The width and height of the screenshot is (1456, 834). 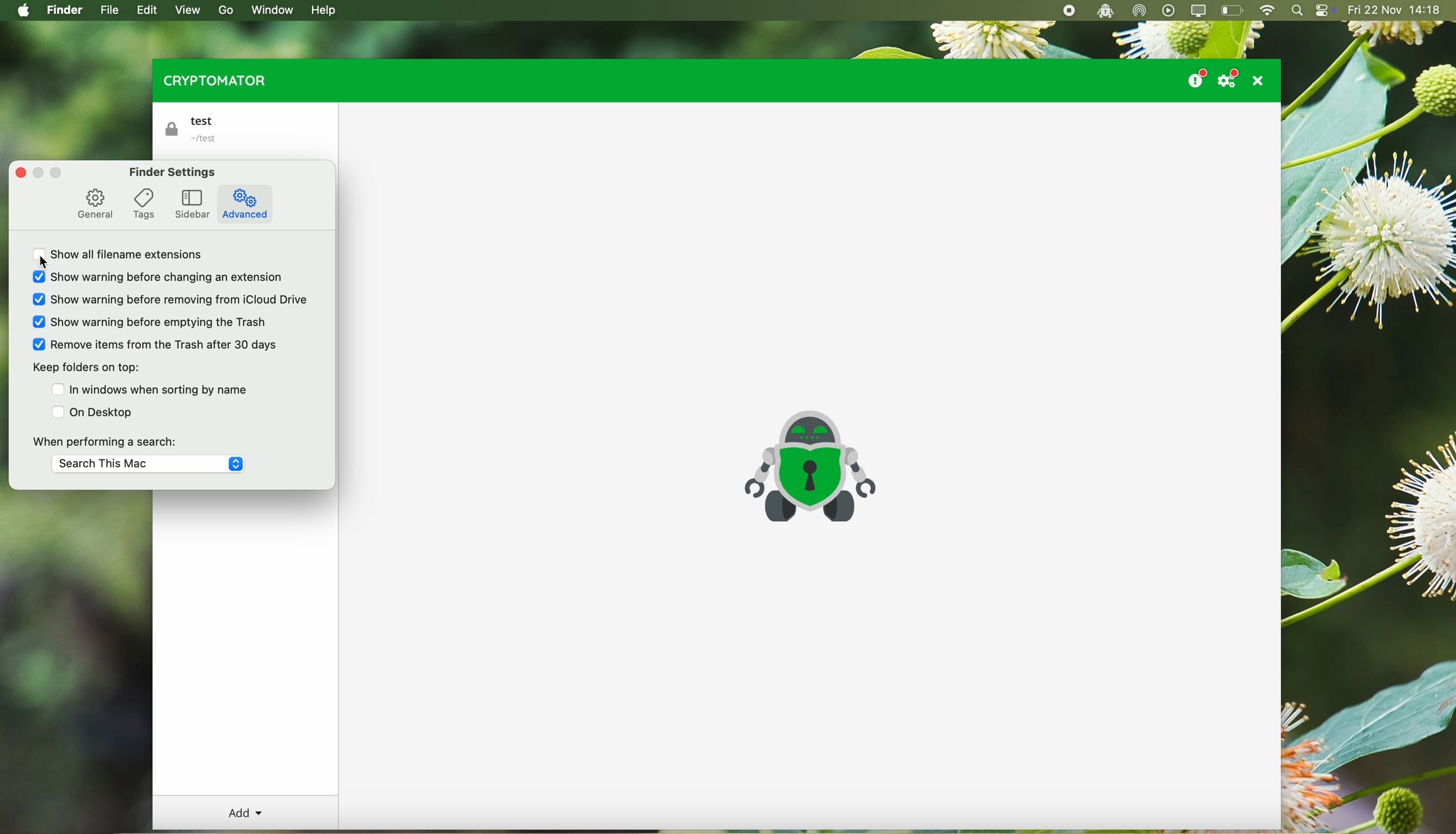 I want to click on airdrop, so click(x=1139, y=11).